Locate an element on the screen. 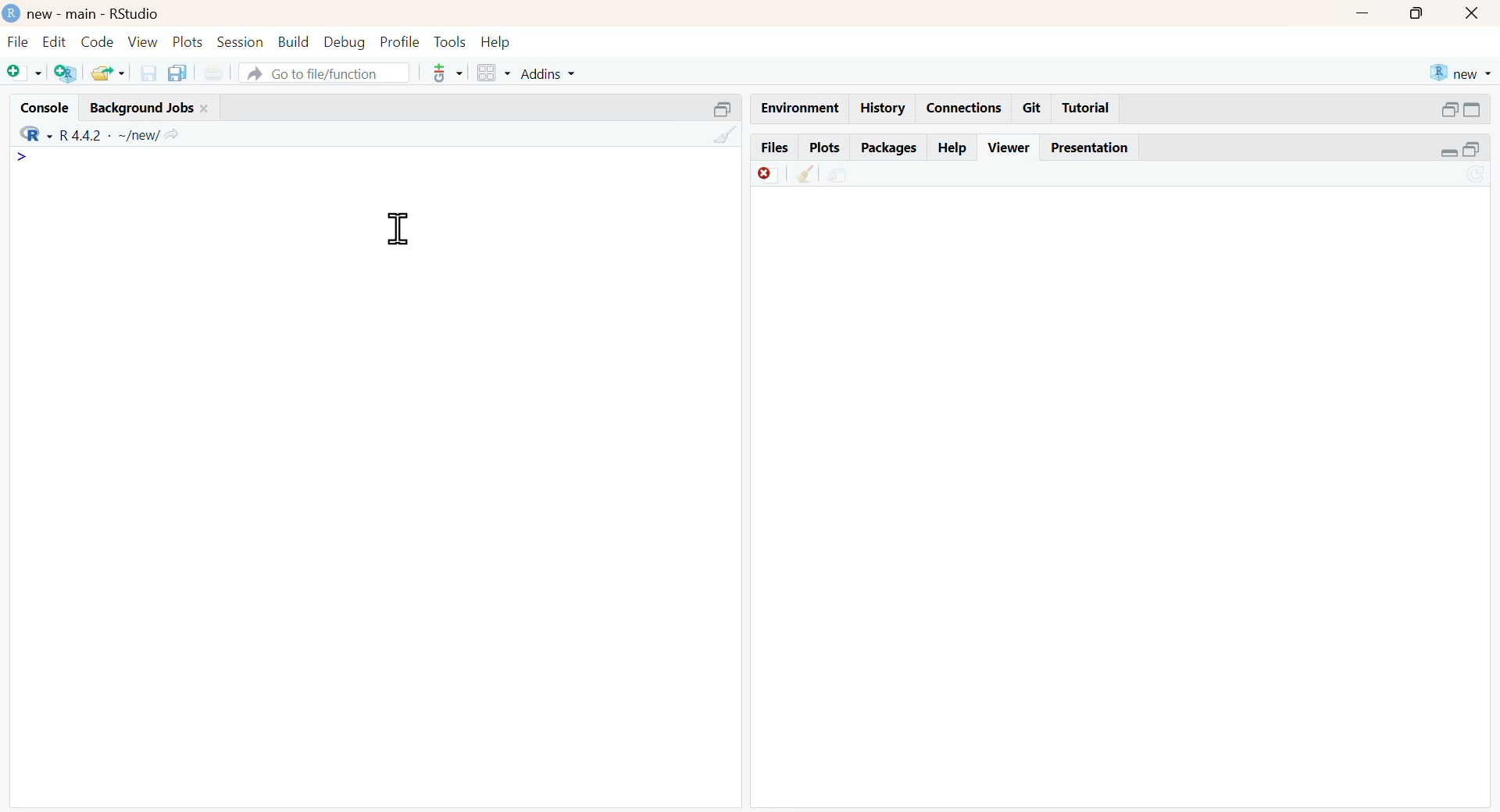  Debug is located at coordinates (343, 42).